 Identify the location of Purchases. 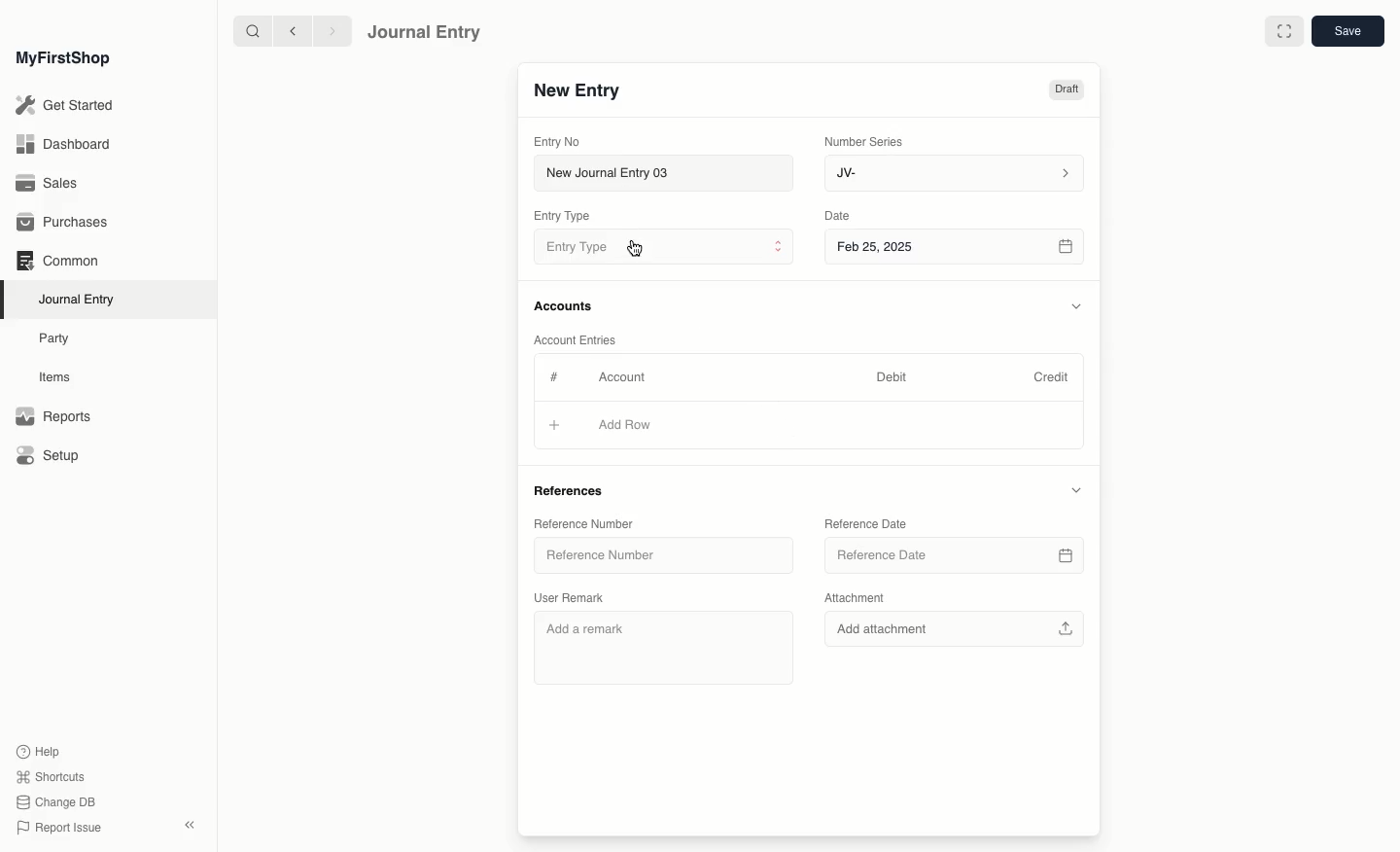
(67, 223).